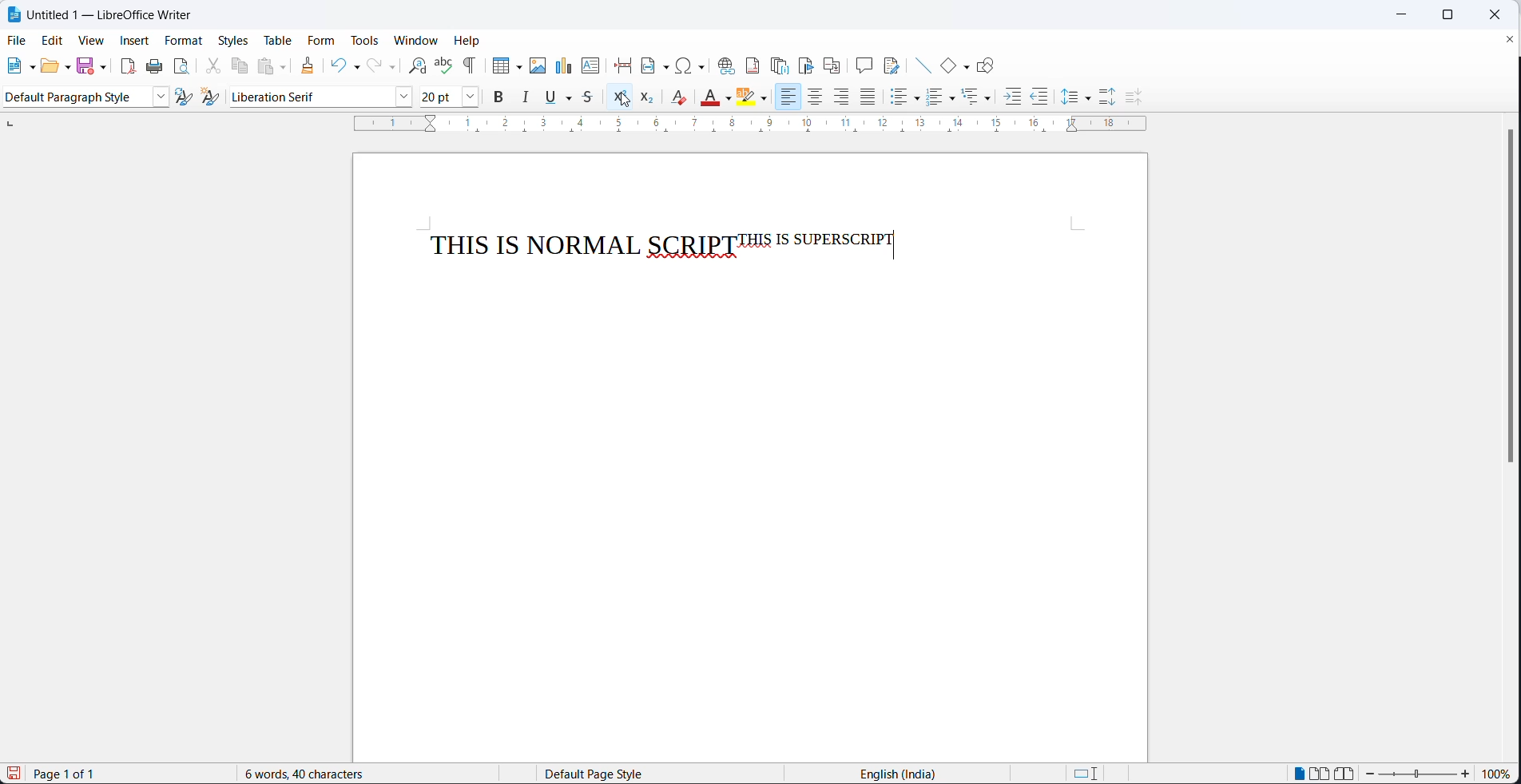 The image size is (1521, 784). What do you see at coordinates (499, 97) in the screenshot?
I see `bold` at bounding box center [499, 97].